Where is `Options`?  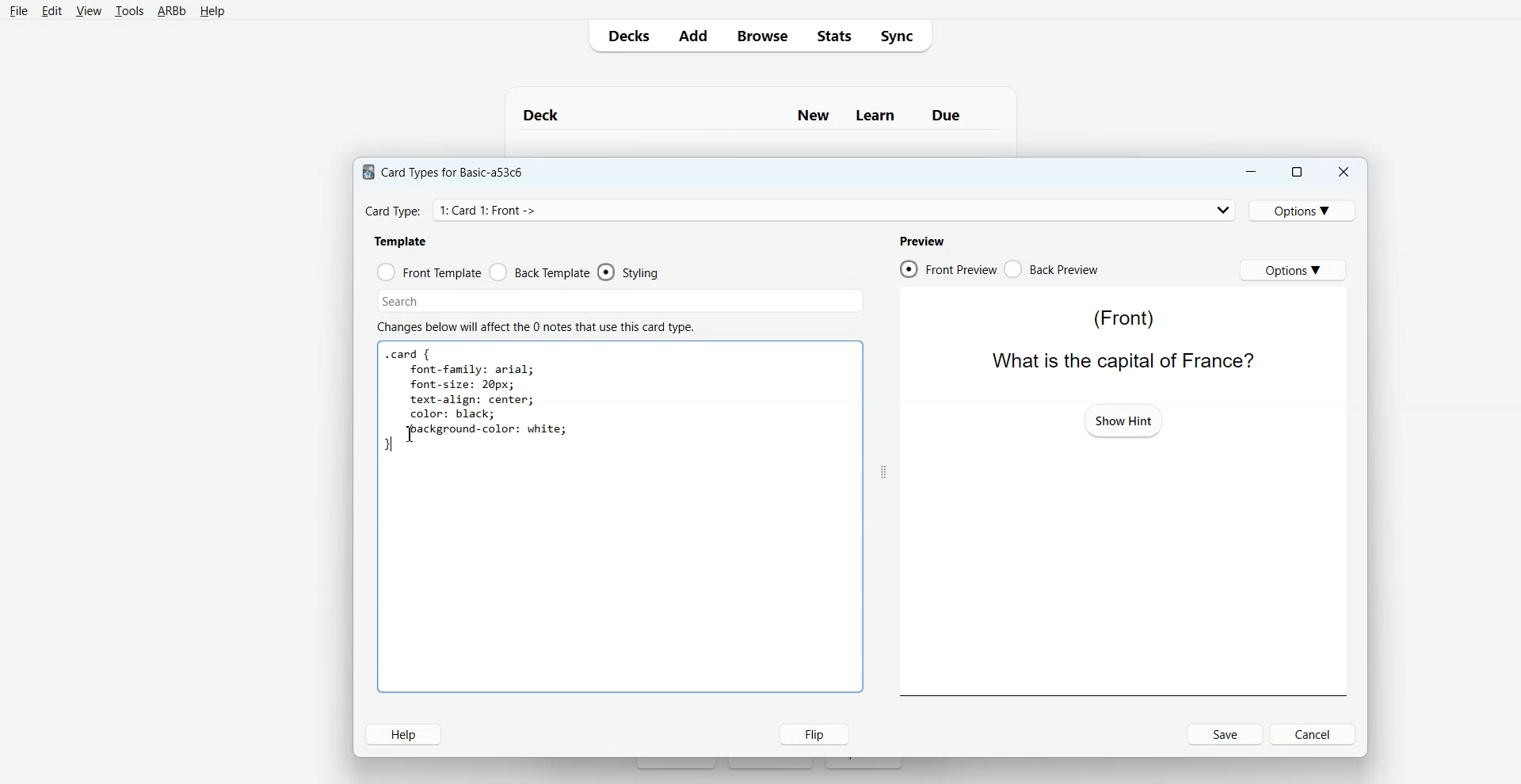
Options is located at coordinates (1293, 269).